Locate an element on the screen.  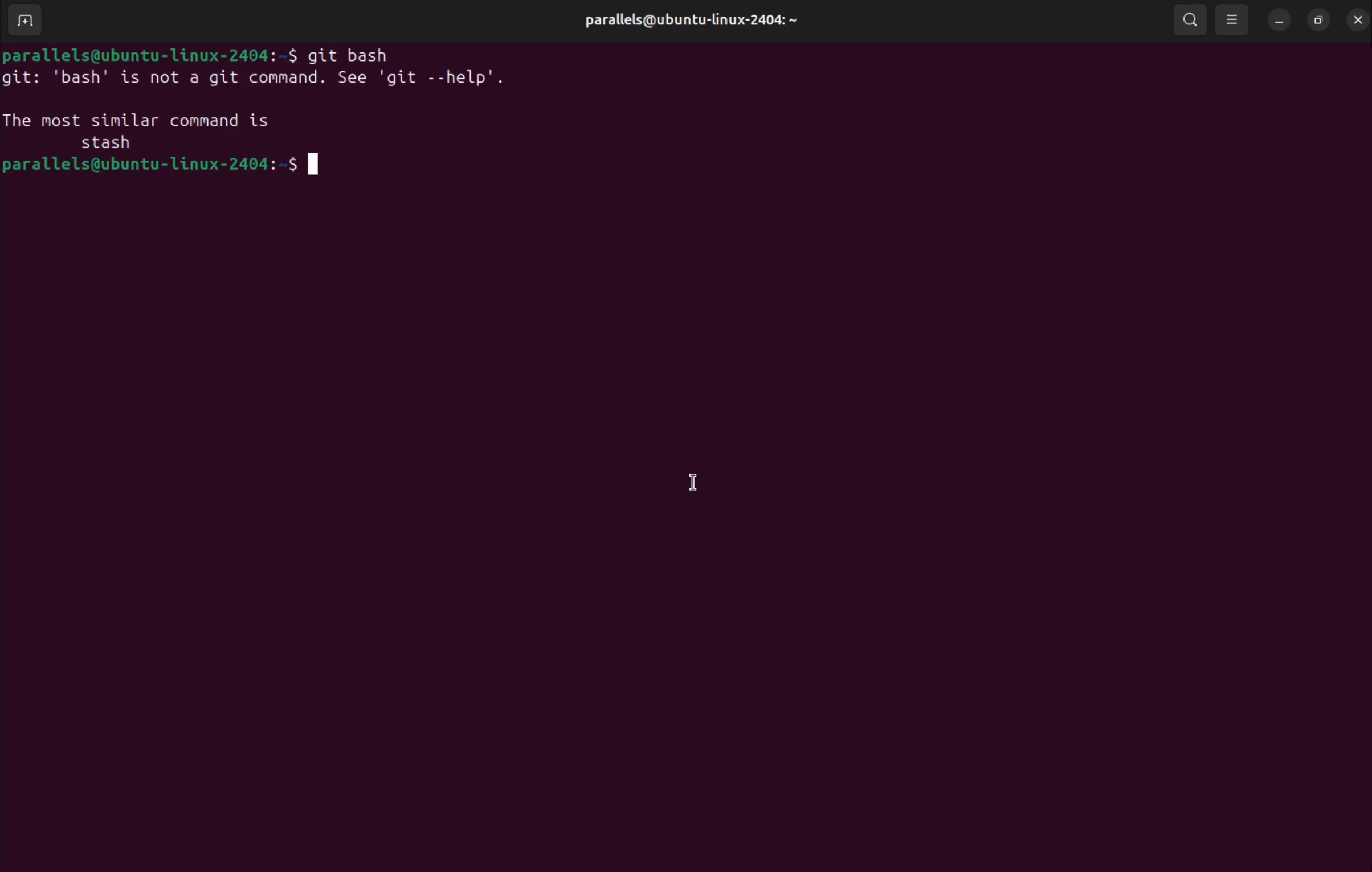
resize is located at coordinates (1321, 20).